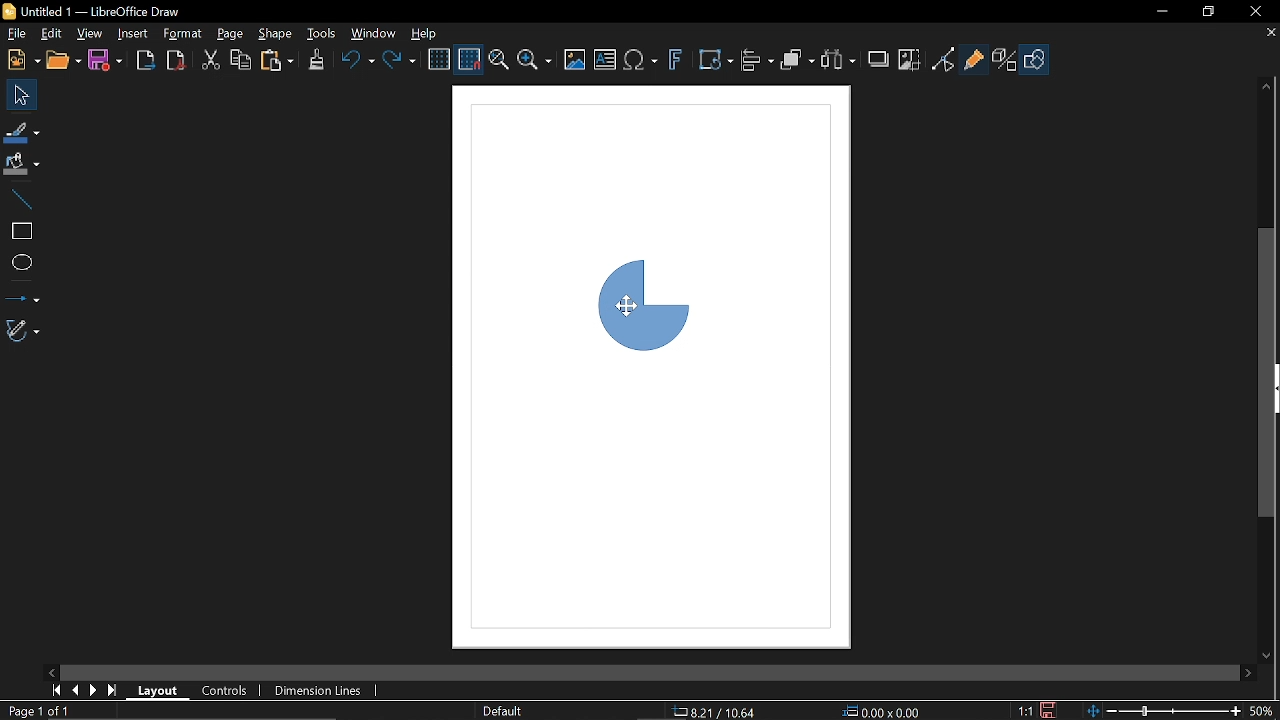  What do you see at coordinates (324, 34) in the screenshot?
I see `Tools` at bounding box center [324, 34].